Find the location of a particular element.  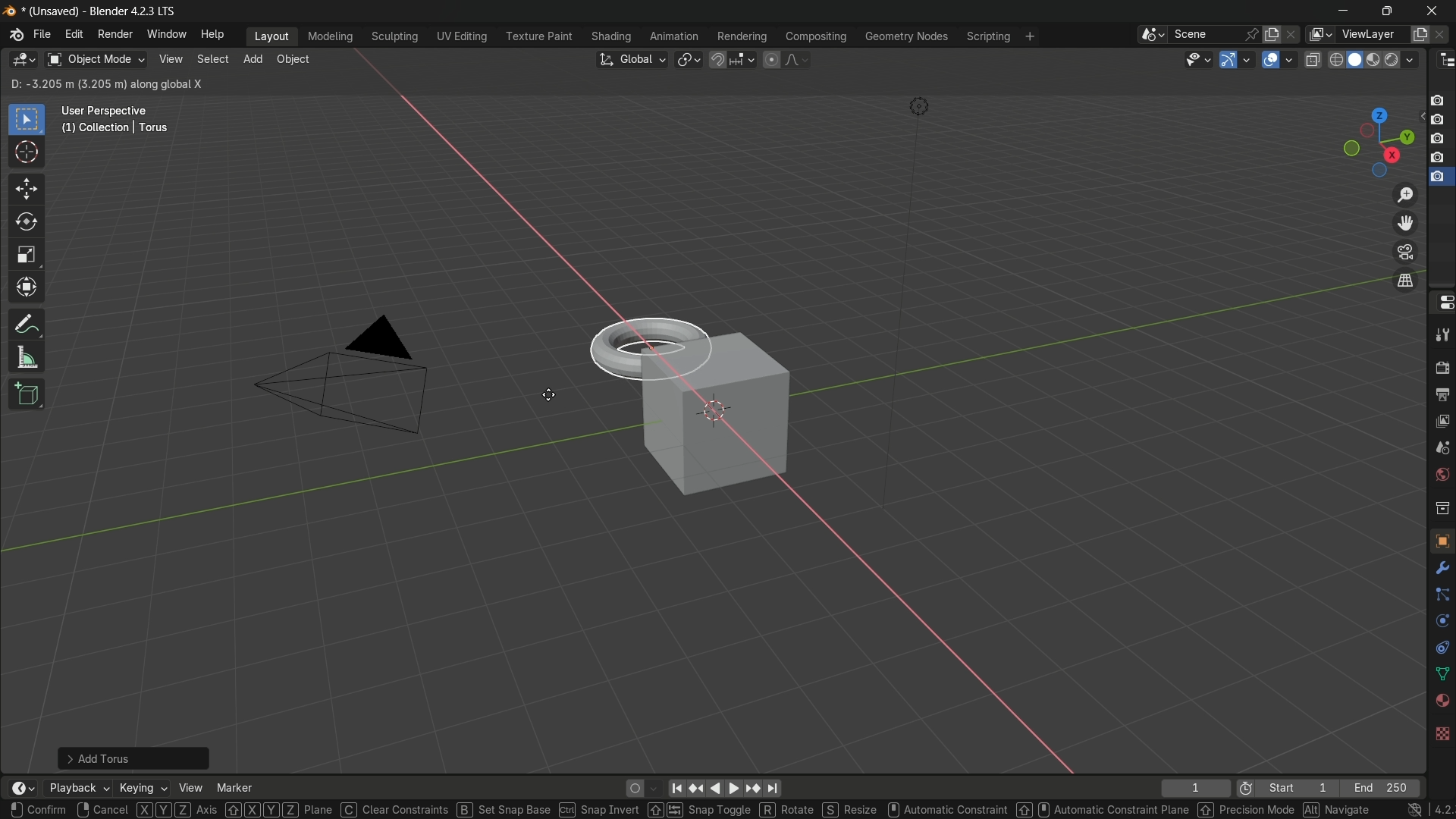

cancel is located at coordinates (102, 809).